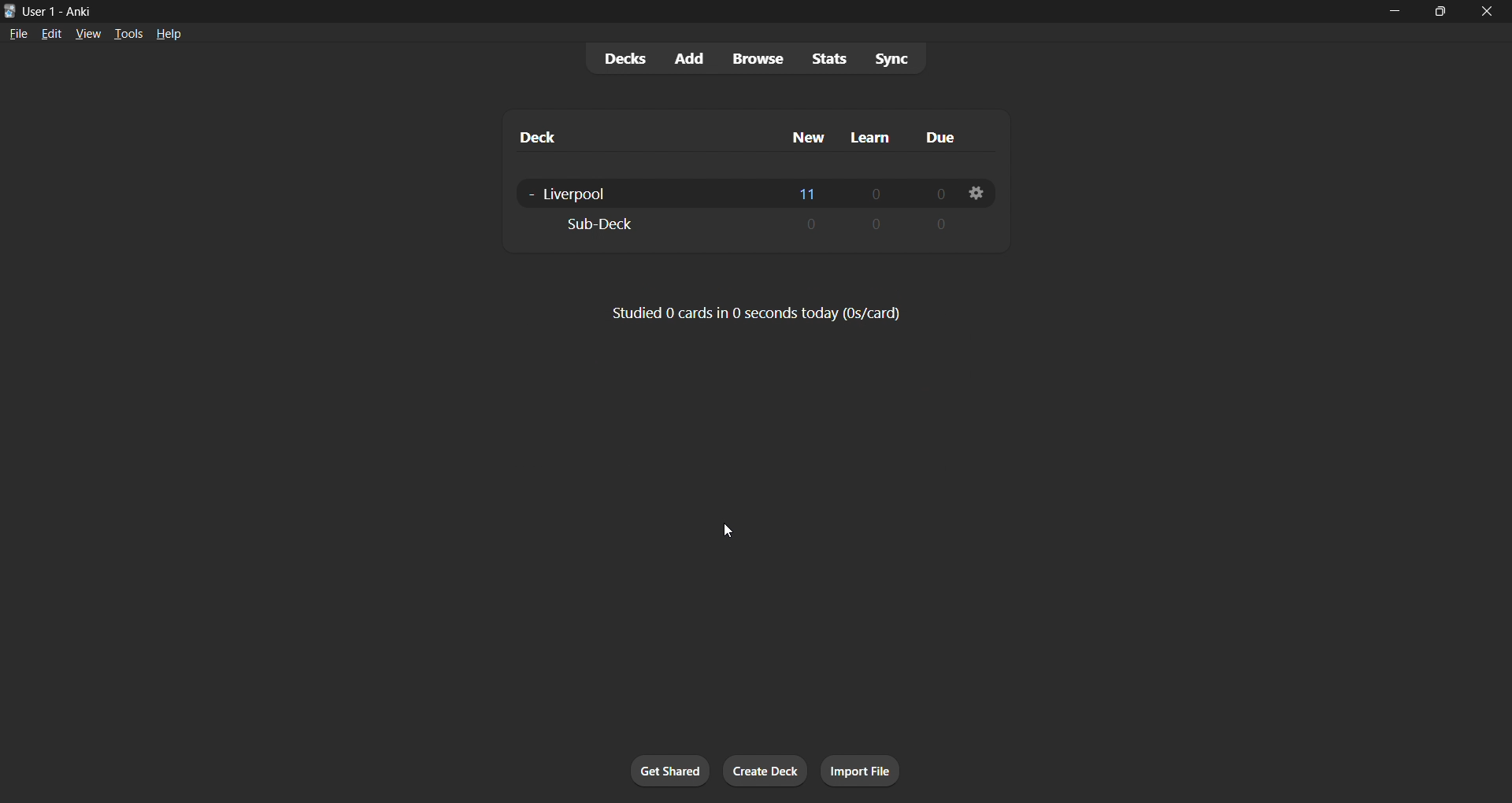 The image size is (1512, 803). Describe the element at coordinates (1489, 12) in the screenshot. I see `close` at that location.